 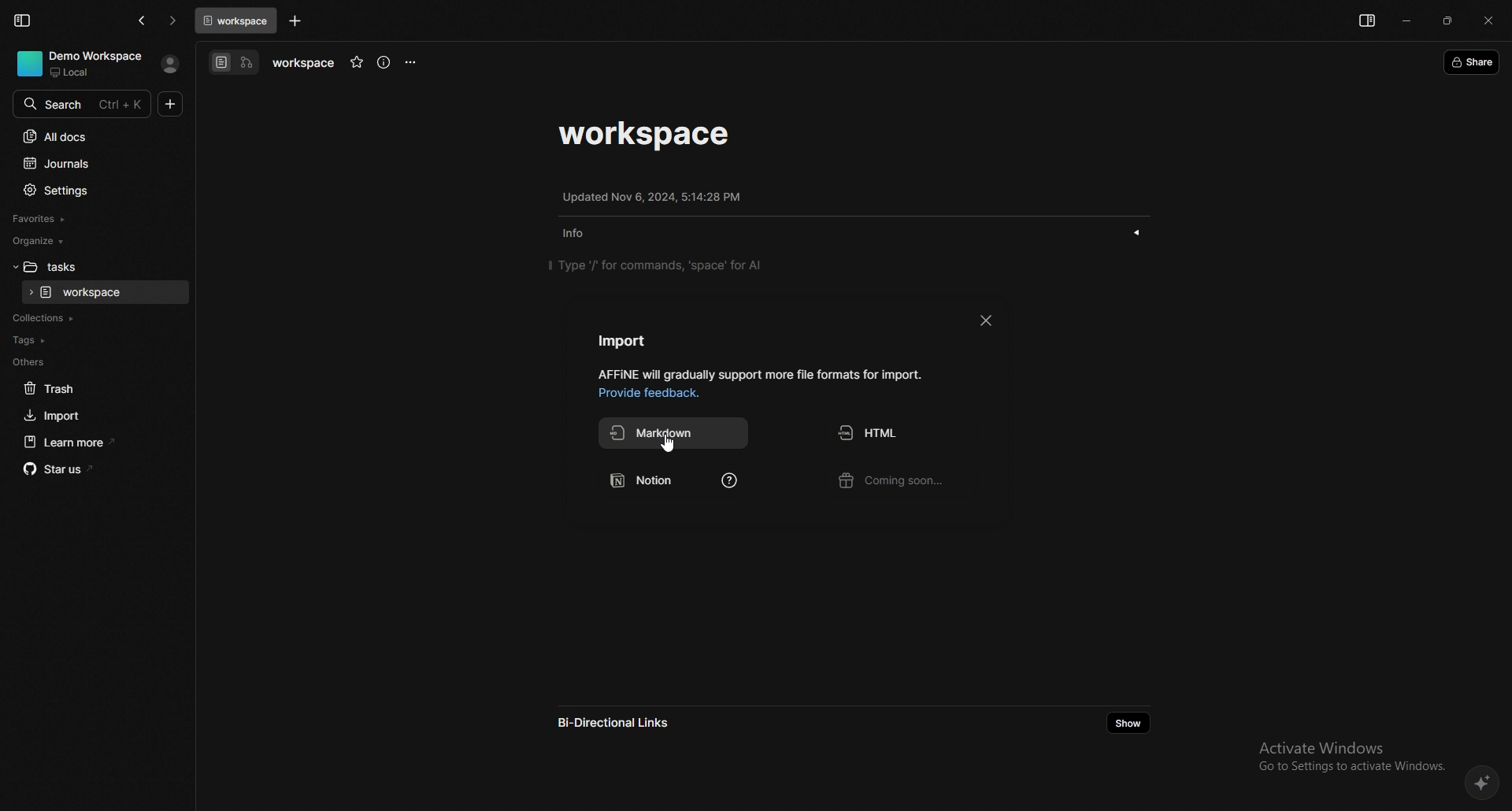 What do you see at coordinates (627, 723) in the screenshot?
I see `bi directional links` at bounding box center [627, 723].